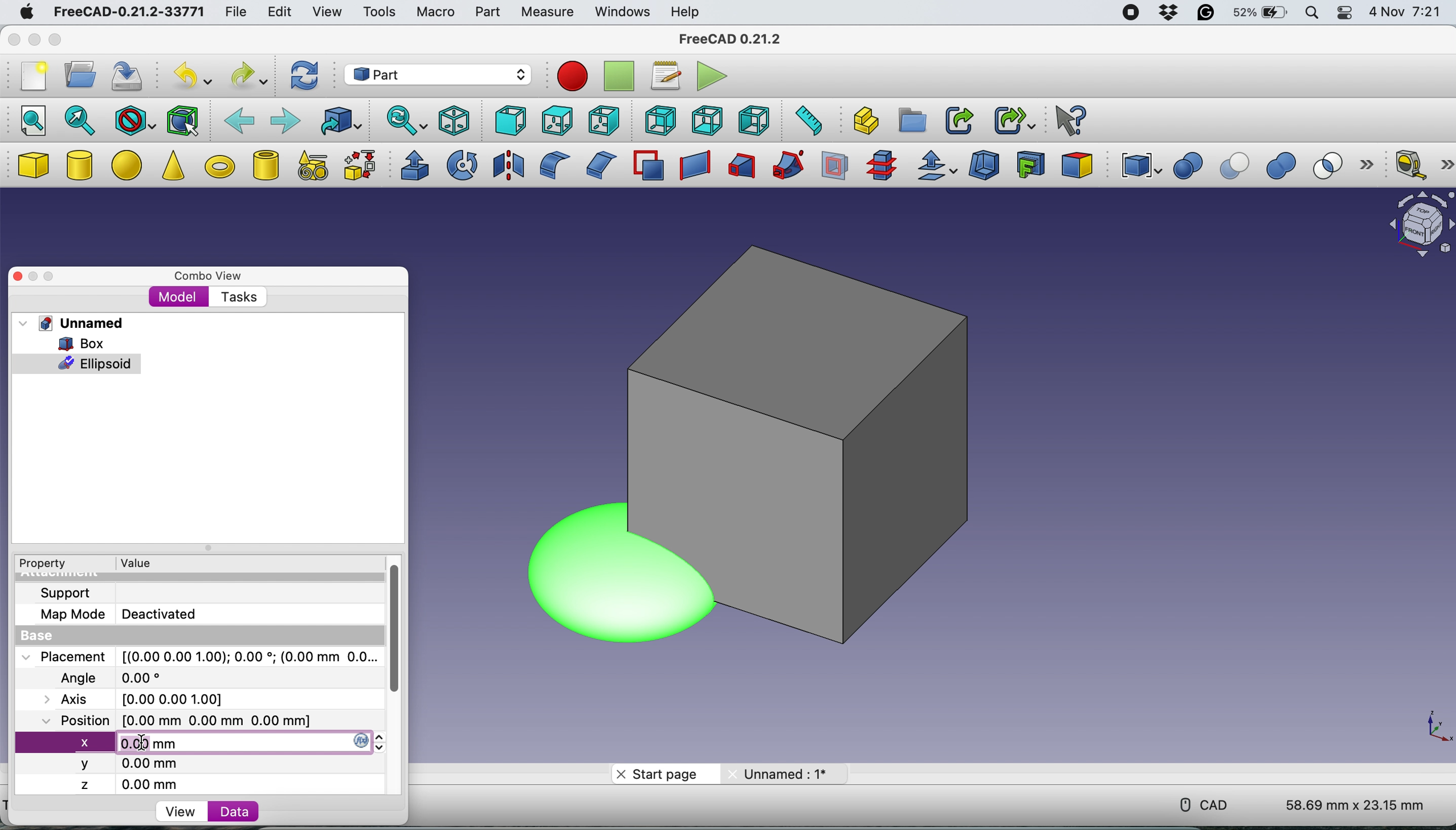 The image size is (1456, 830). Describe the element at coordinates (805, 120) in the screenshot. I see `measure distance` at that location.